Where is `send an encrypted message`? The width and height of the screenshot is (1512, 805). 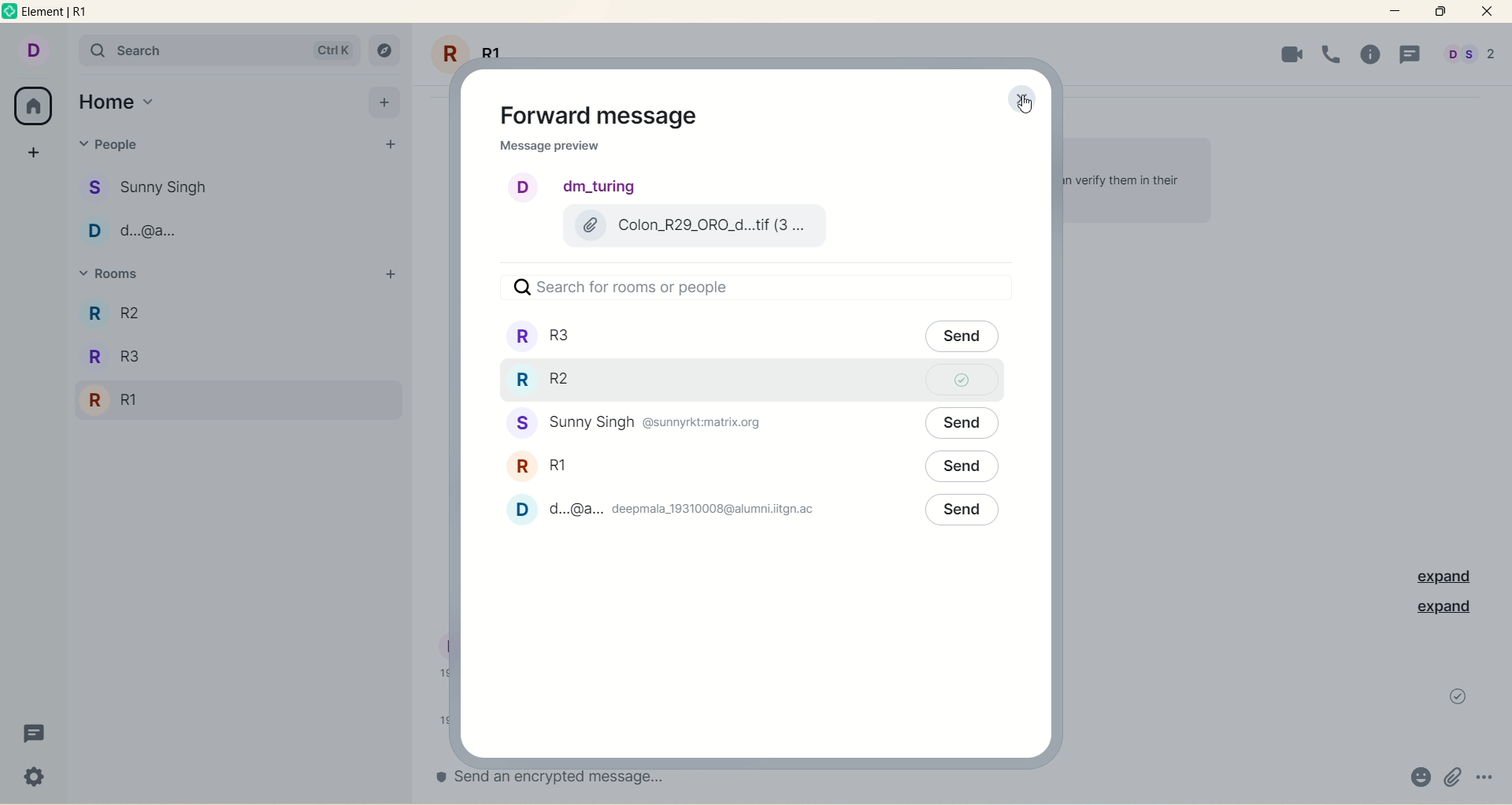 send an encrypted message is located at coordinates (579, 777).